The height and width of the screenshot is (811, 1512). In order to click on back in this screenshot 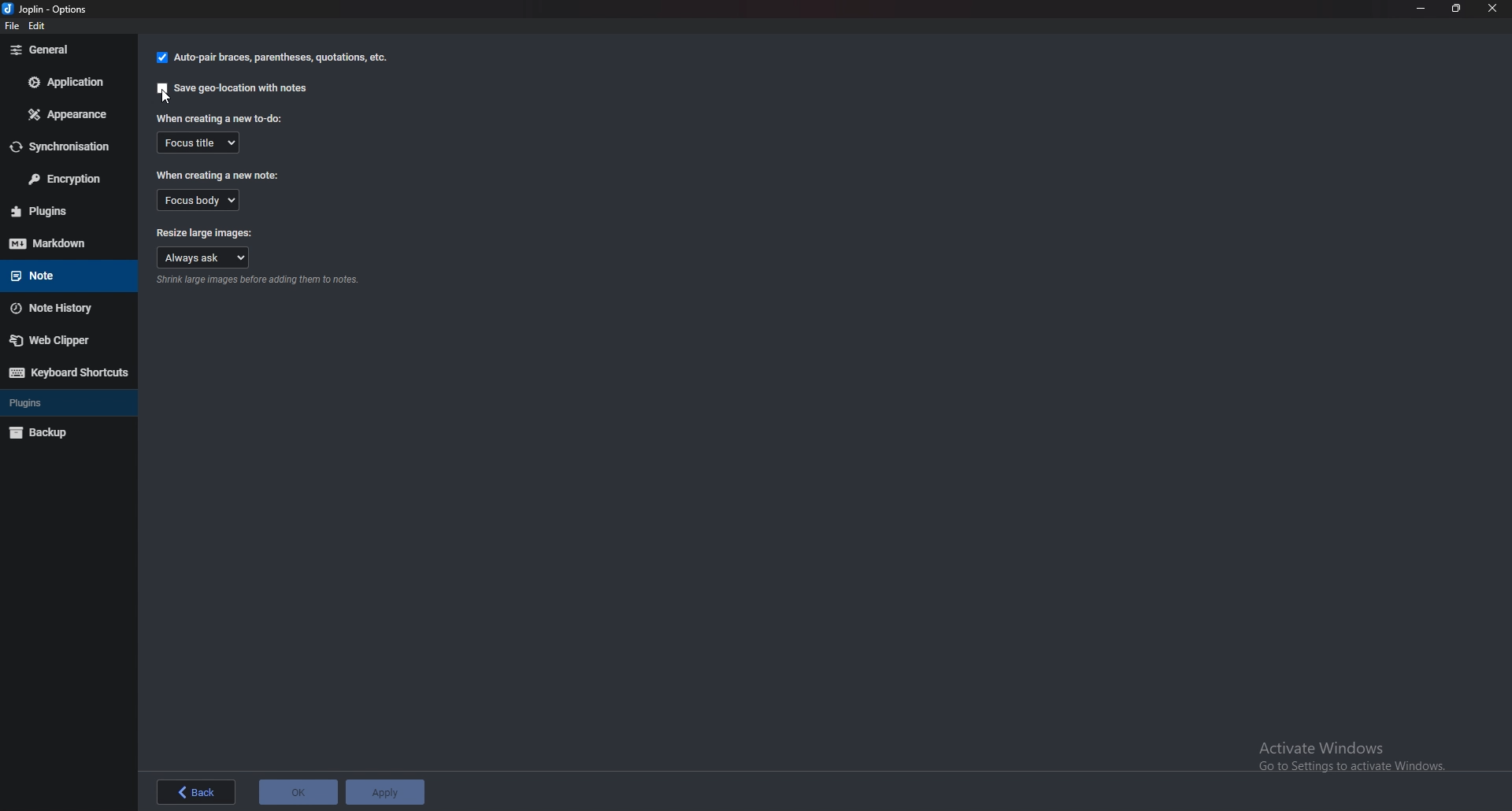, I will do `click(196, 791)`.